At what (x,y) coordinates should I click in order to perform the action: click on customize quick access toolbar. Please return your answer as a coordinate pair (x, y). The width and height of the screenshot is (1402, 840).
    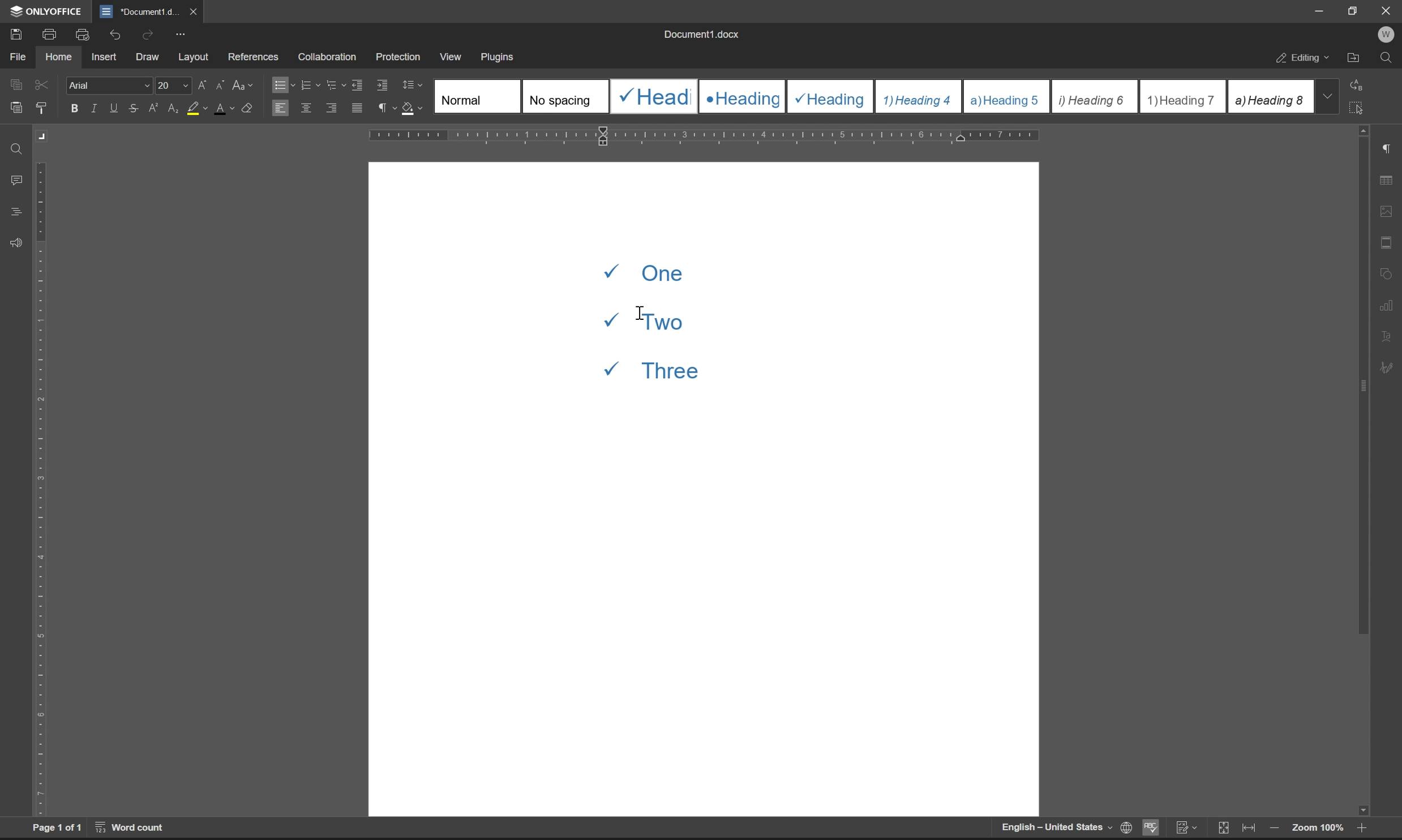
    Looking at the image, I should click on (180, 35).